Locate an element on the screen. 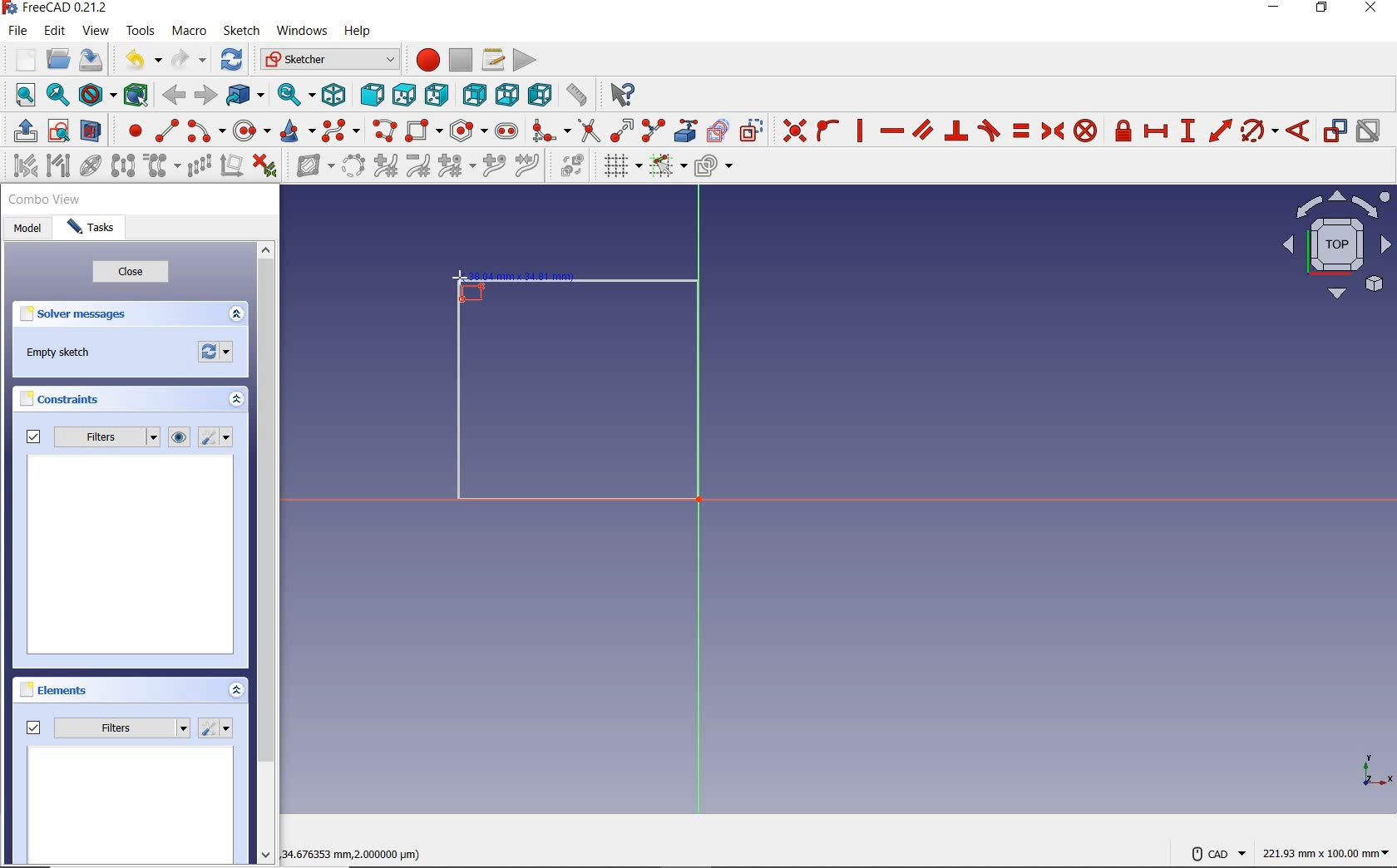 The width and height of the screenshot is (1397, 868). forward is located at coordinates (206, 96).